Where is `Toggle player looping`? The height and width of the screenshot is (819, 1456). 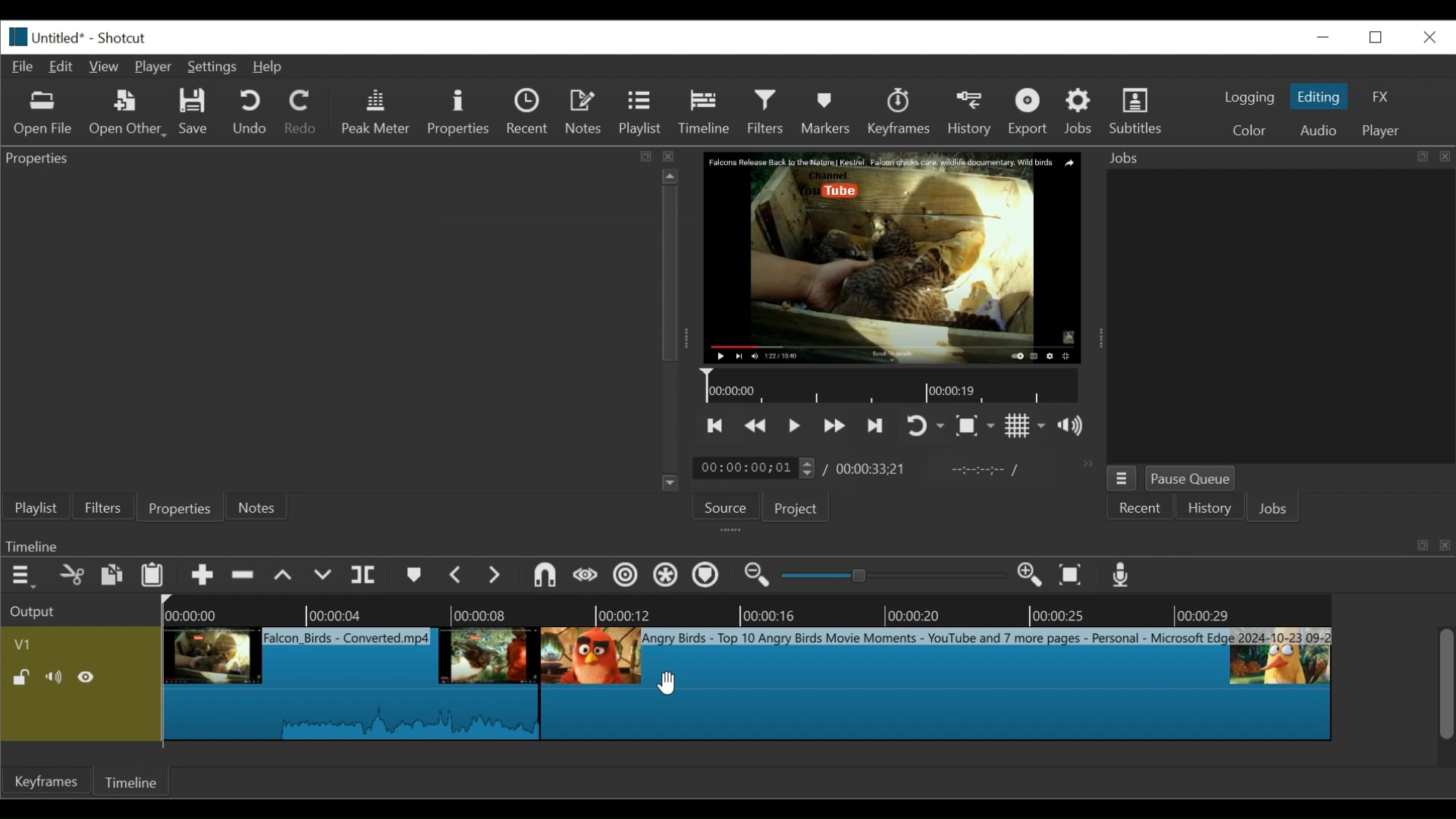
Toggle player looping is located at coordinates (926, 426).